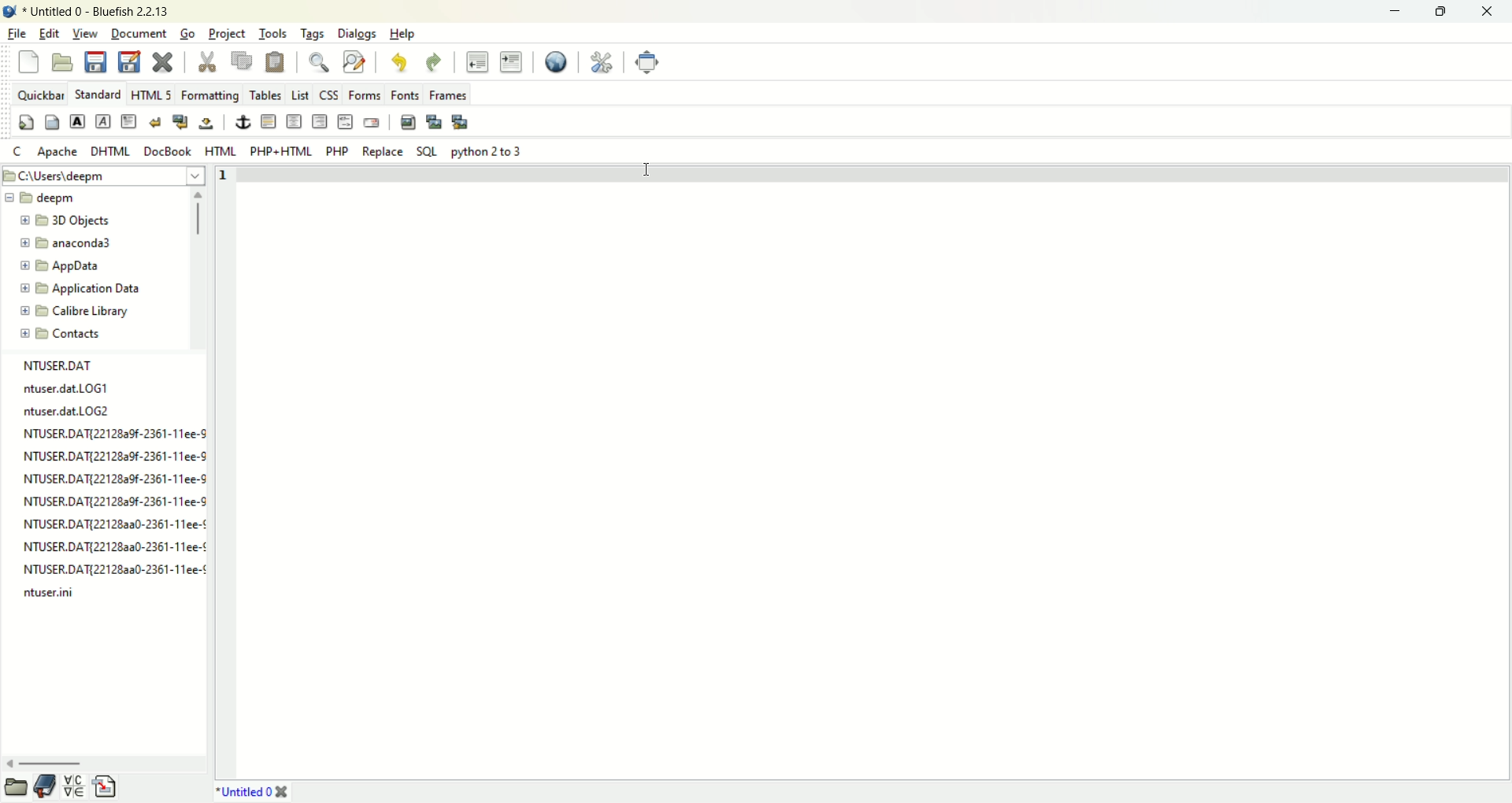 The width and height of the screenshot is (1512, 803). I want to click on cut, so click(206, 62).